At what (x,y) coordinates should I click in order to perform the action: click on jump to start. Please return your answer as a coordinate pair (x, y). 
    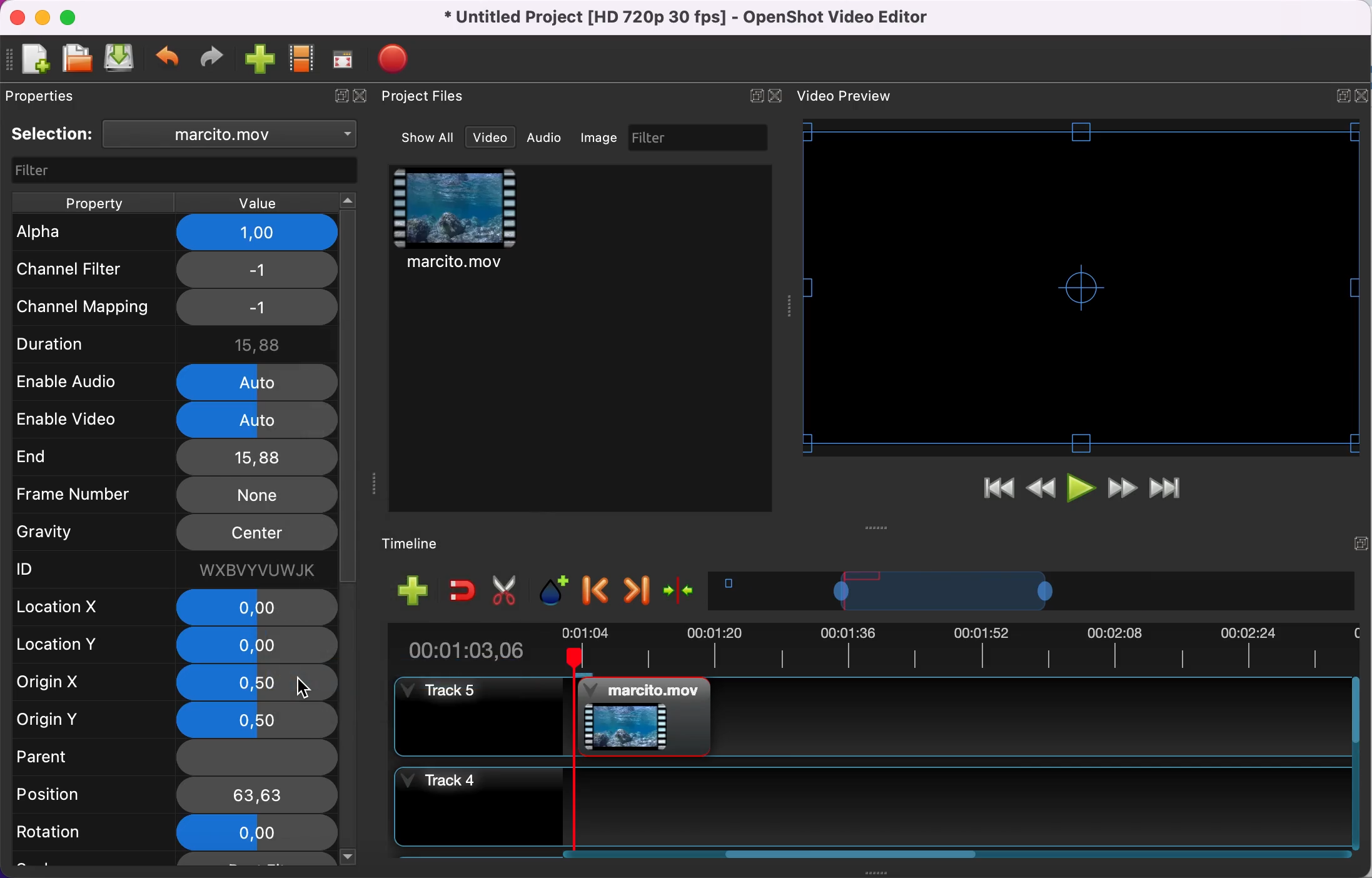
    Looking at the image, I should click on (998, 492).